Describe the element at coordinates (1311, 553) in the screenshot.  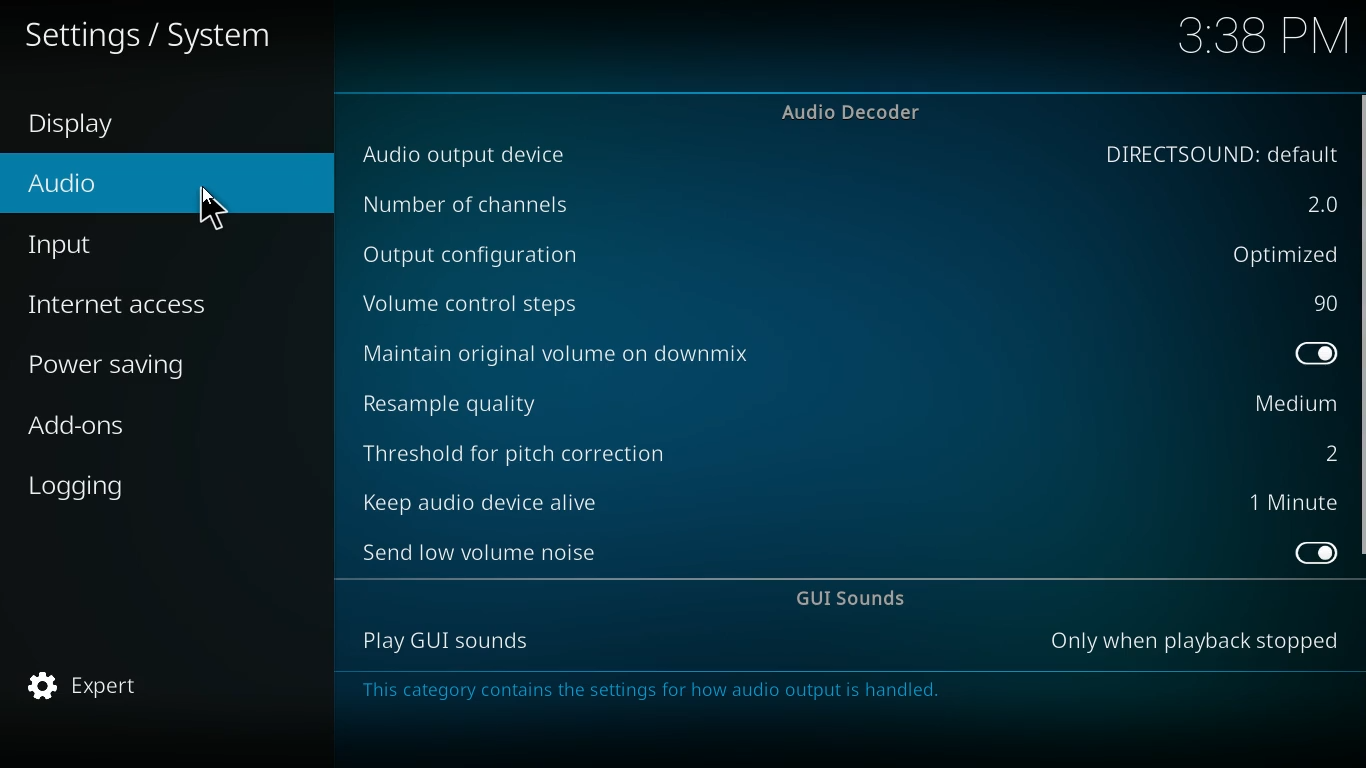
I see `option` at that location.